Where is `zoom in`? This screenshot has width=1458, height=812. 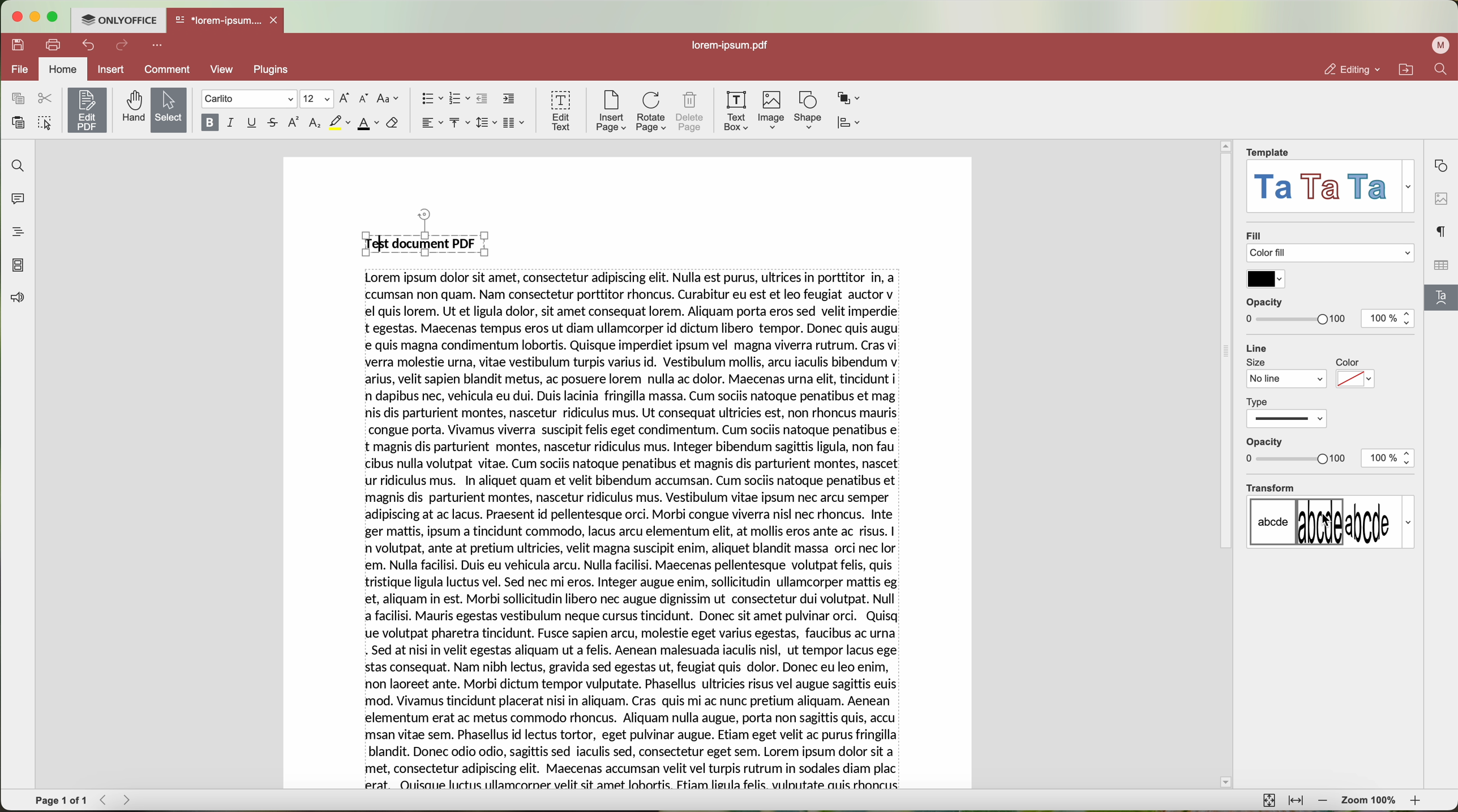 zoom in is located at coordinates (1418, 800).